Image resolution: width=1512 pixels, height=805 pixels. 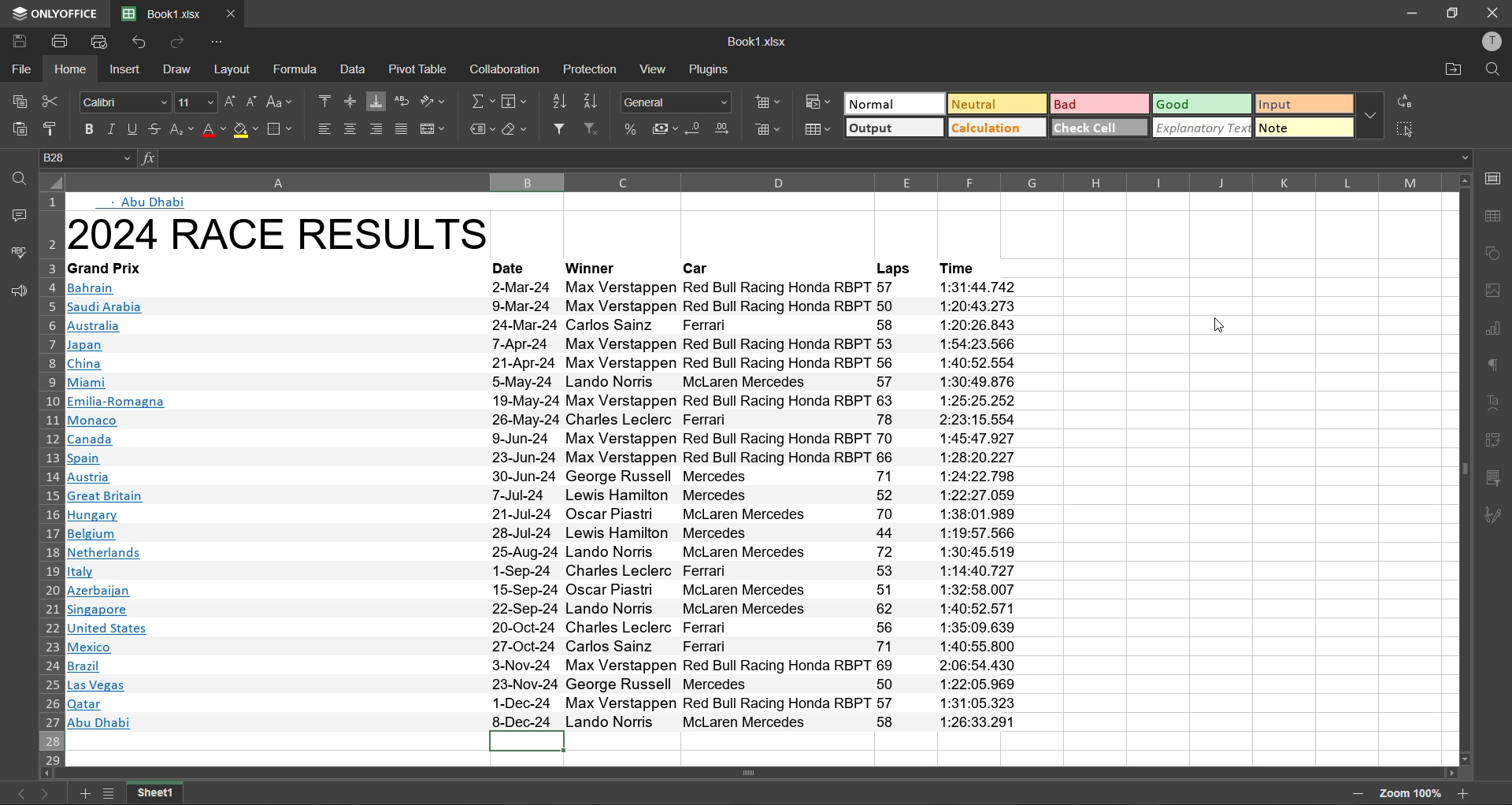 What do you see at coordinates (58, 43) in the screenshot?
I see `print` at bounding box center [58, 43].